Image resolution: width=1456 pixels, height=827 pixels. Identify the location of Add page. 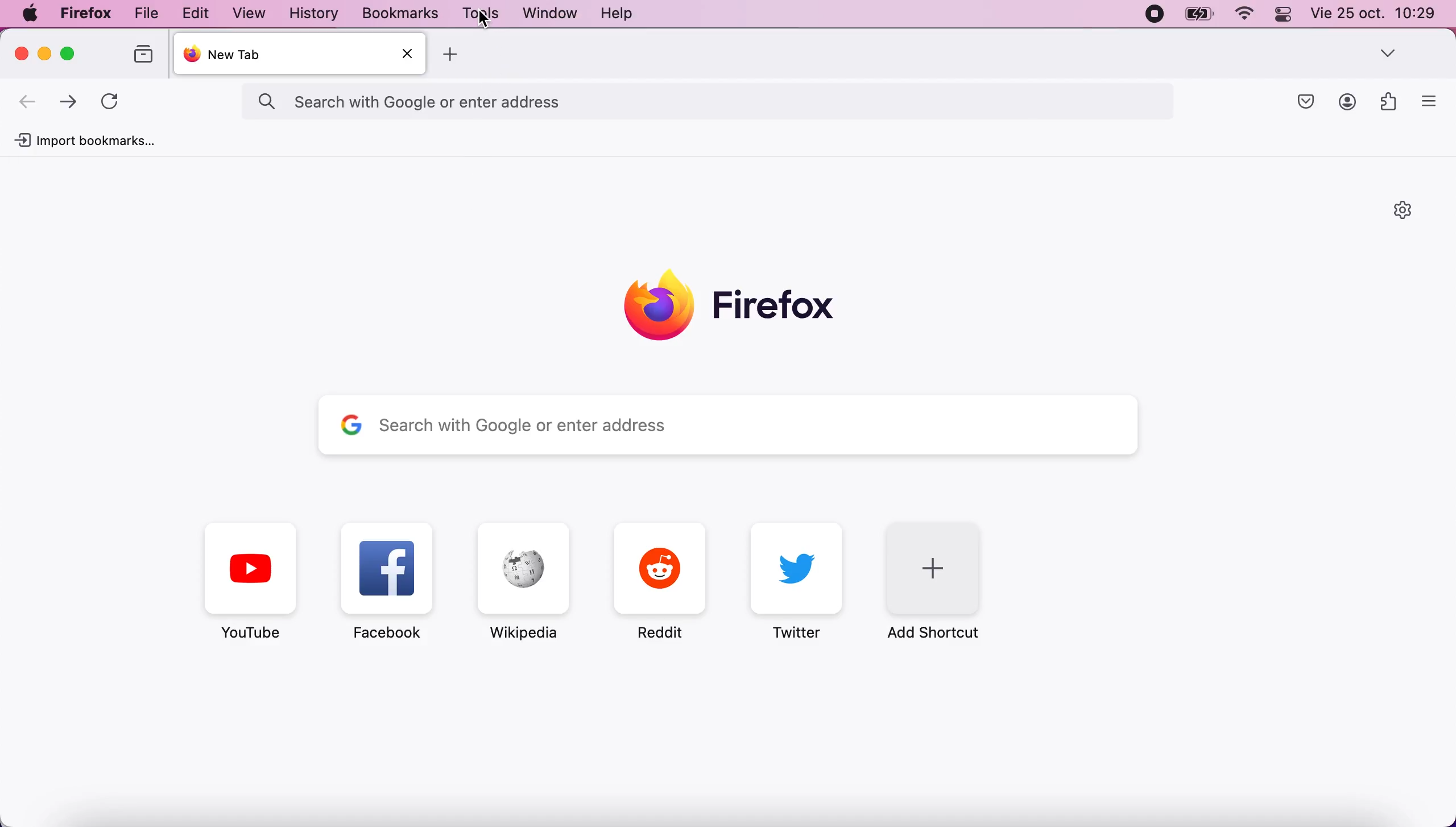
(452, 53).